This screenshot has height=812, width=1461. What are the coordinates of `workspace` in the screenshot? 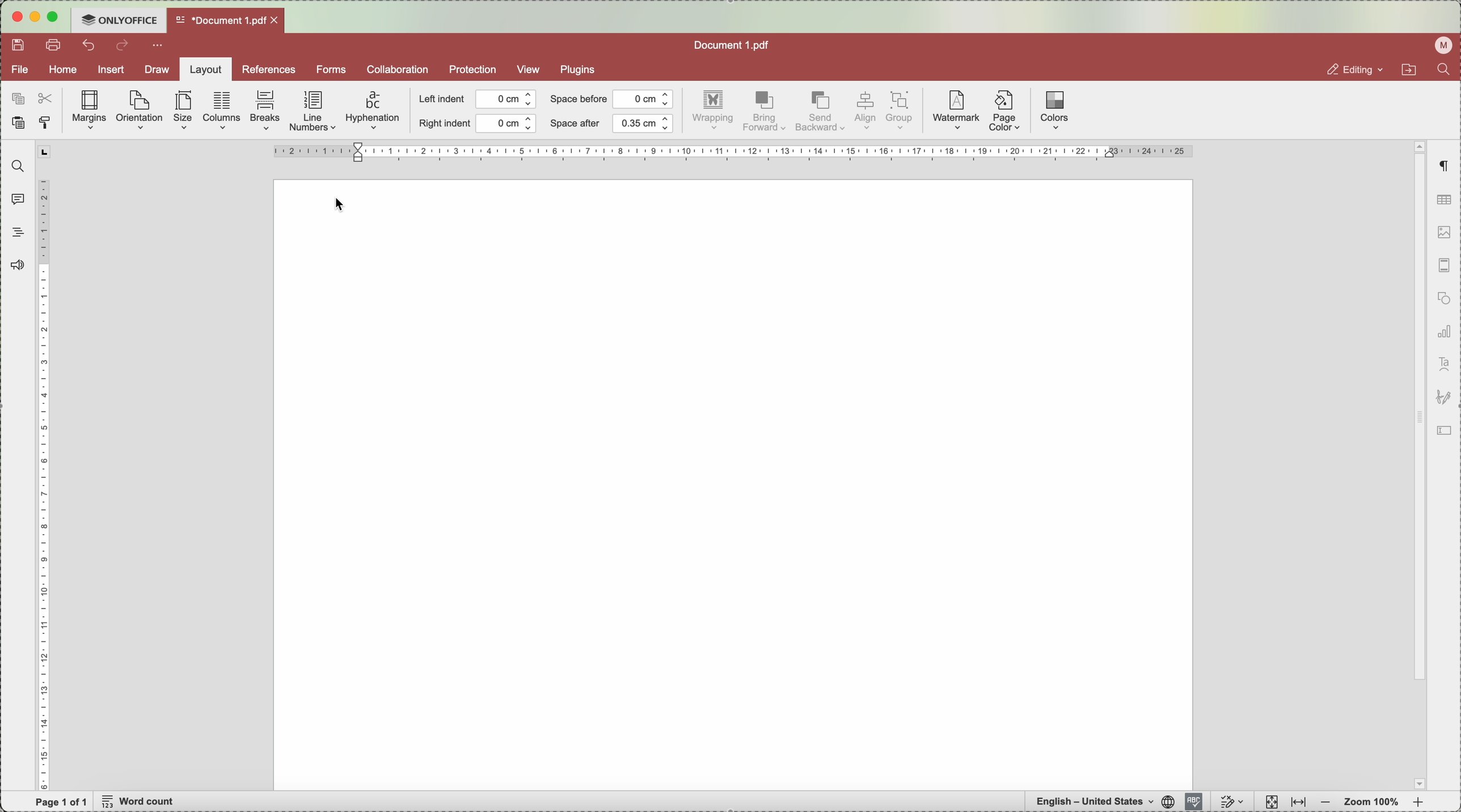 It's located at (731, 484).